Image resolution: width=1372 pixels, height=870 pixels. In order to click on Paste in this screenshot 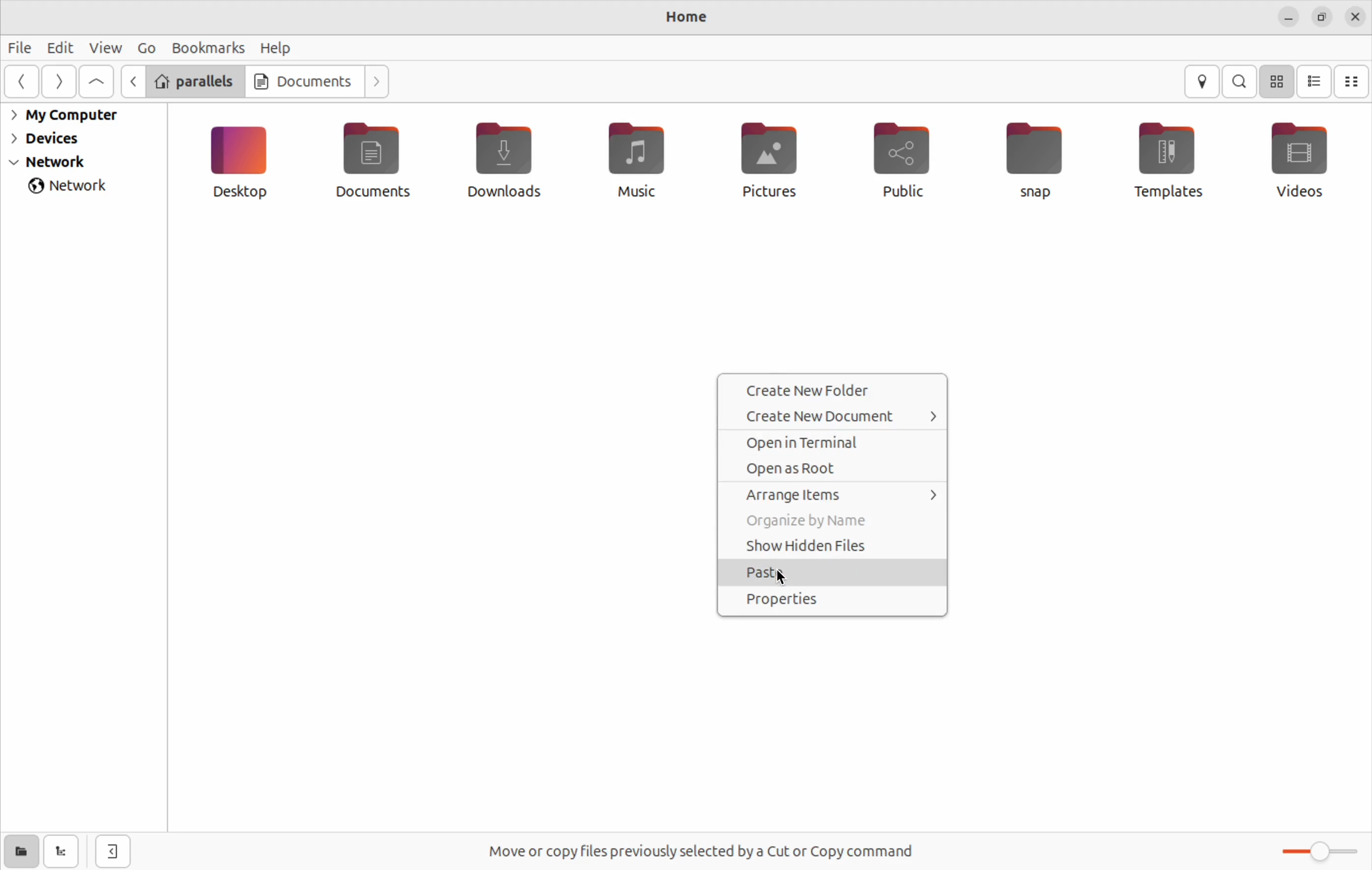, I will do `click(839, 574)`.